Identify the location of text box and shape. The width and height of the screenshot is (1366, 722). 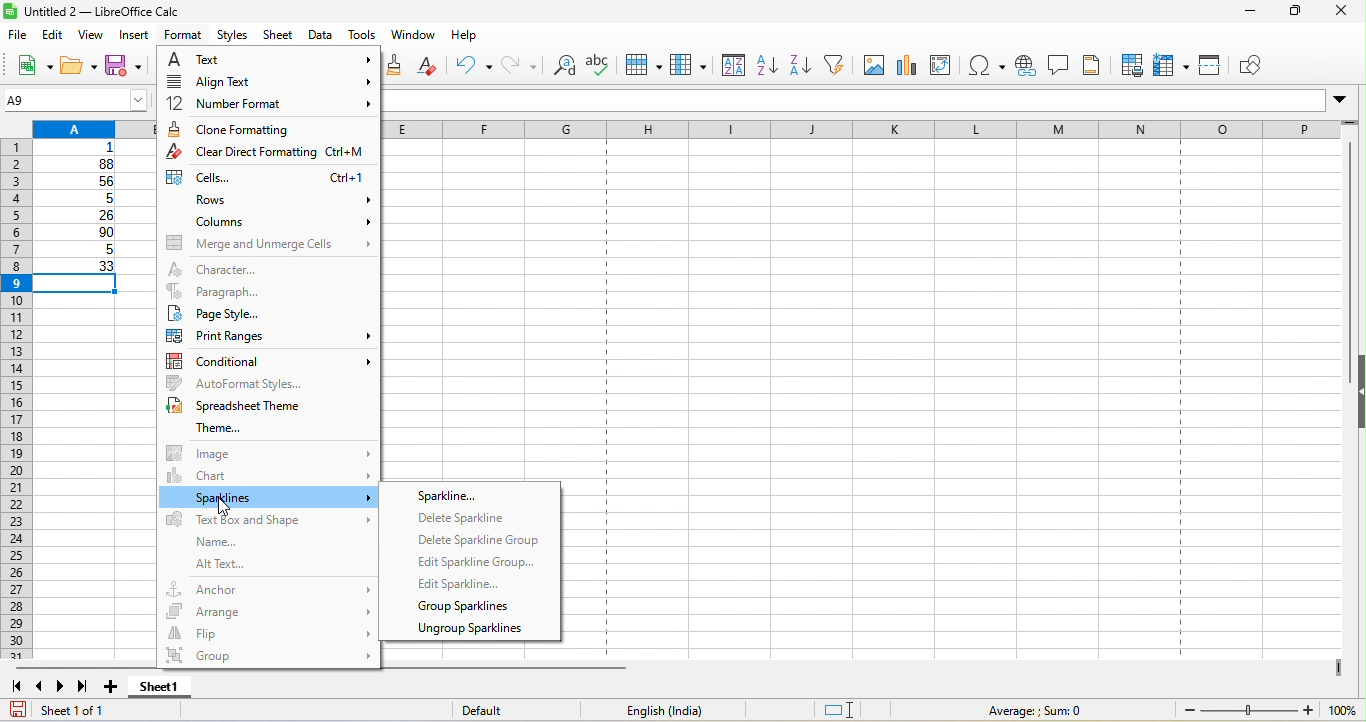
(266, 521).